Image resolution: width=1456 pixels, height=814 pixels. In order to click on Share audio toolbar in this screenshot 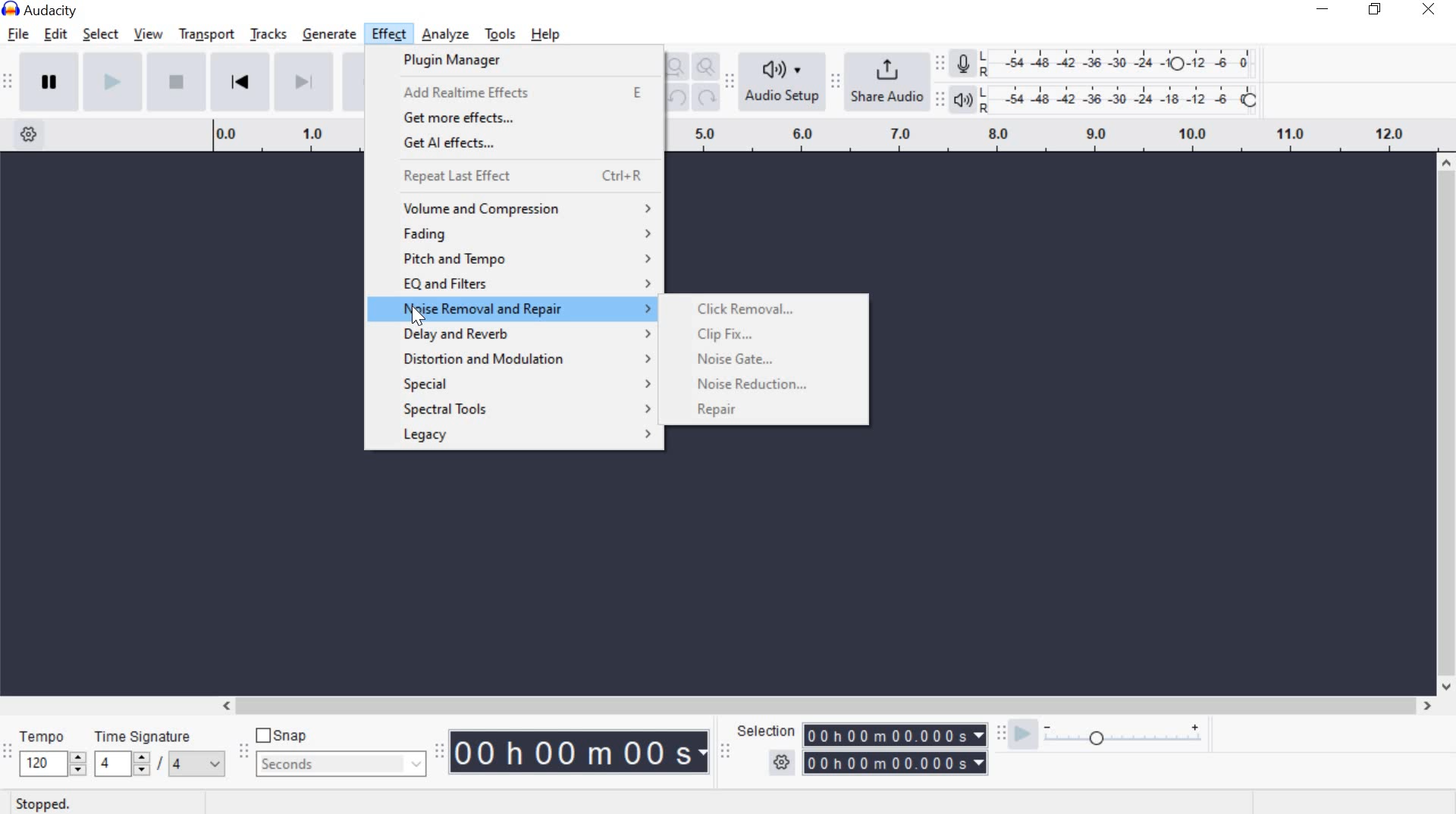, I will do `click(836, 80)`.